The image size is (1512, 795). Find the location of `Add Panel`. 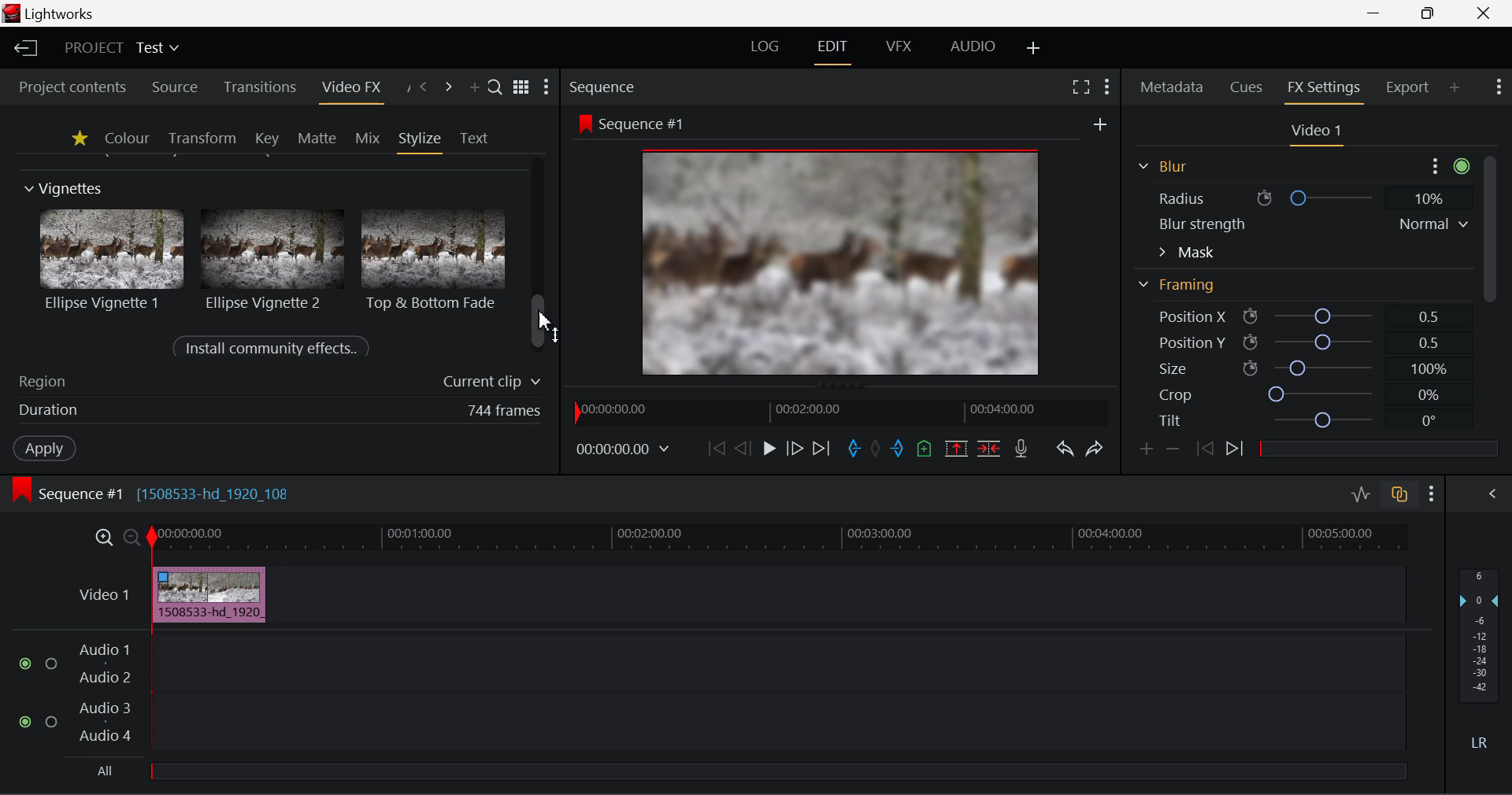

Add Panel is located at coordinates (1455, 89).